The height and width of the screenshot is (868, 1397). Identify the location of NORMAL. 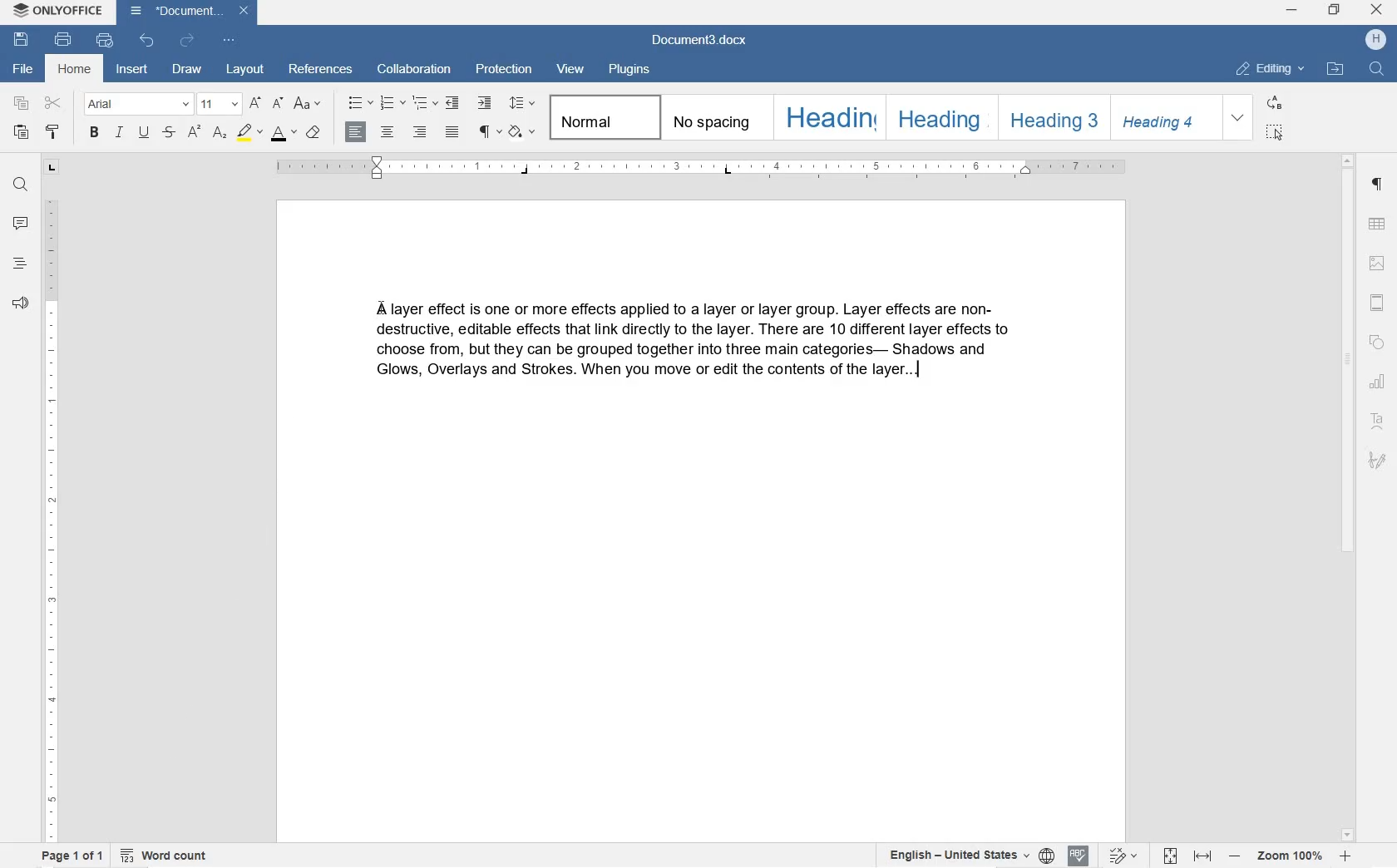
(603, 117).